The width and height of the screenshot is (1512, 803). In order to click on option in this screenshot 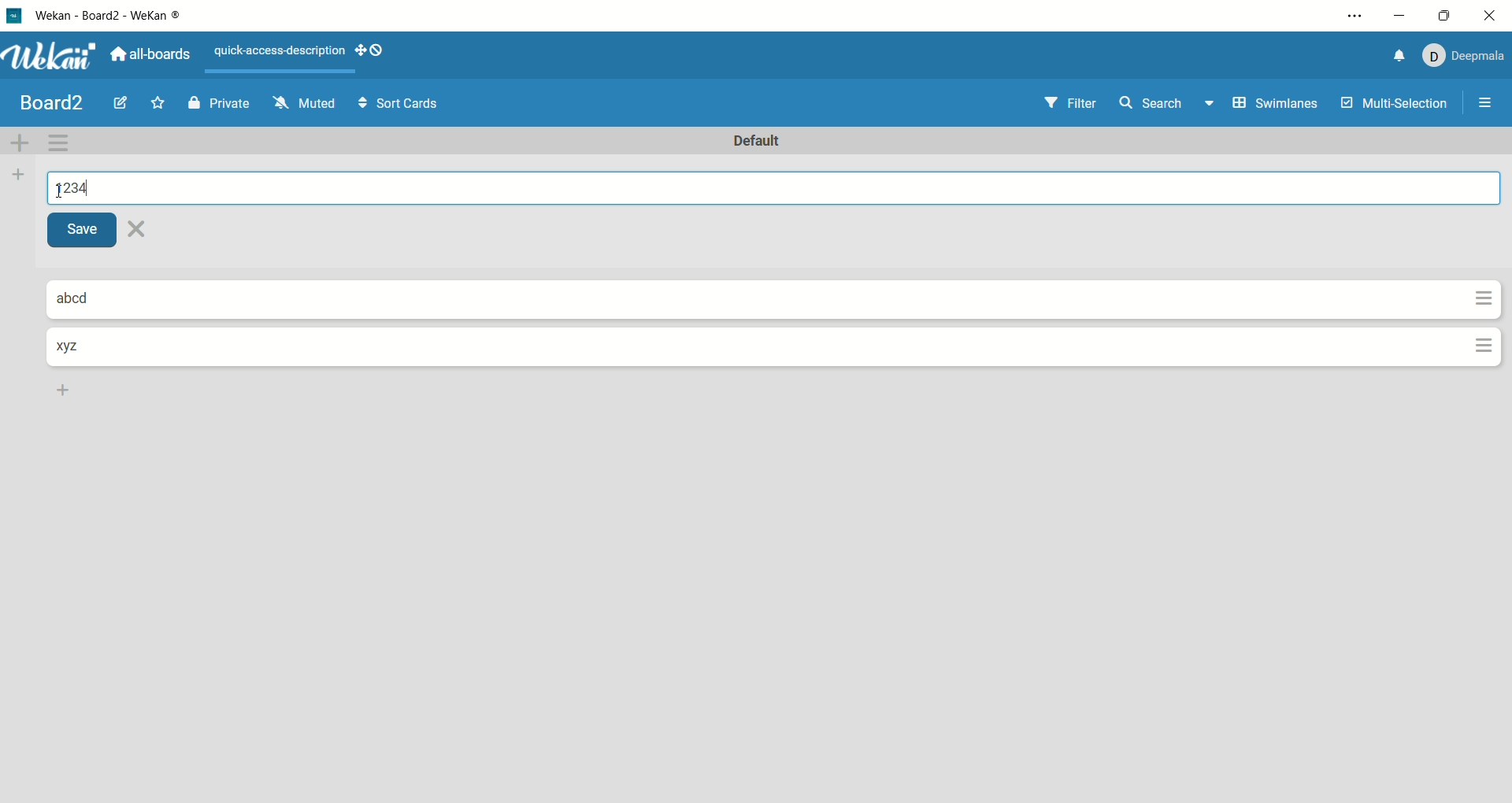, I will do `click(1488, 102)`.